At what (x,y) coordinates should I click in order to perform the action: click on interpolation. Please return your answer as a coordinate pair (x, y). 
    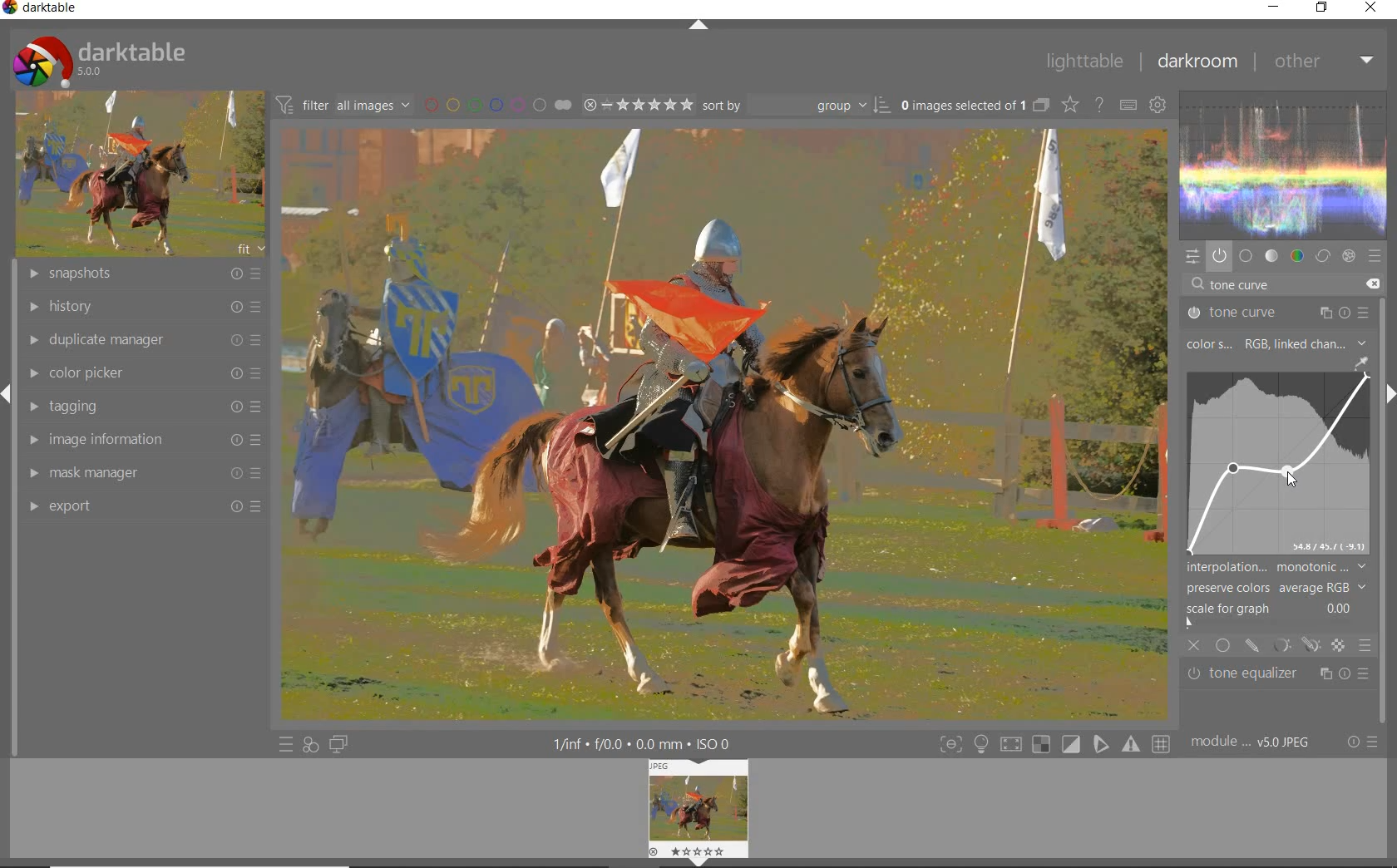
    Looking at the image, I should click on (1276, 567).